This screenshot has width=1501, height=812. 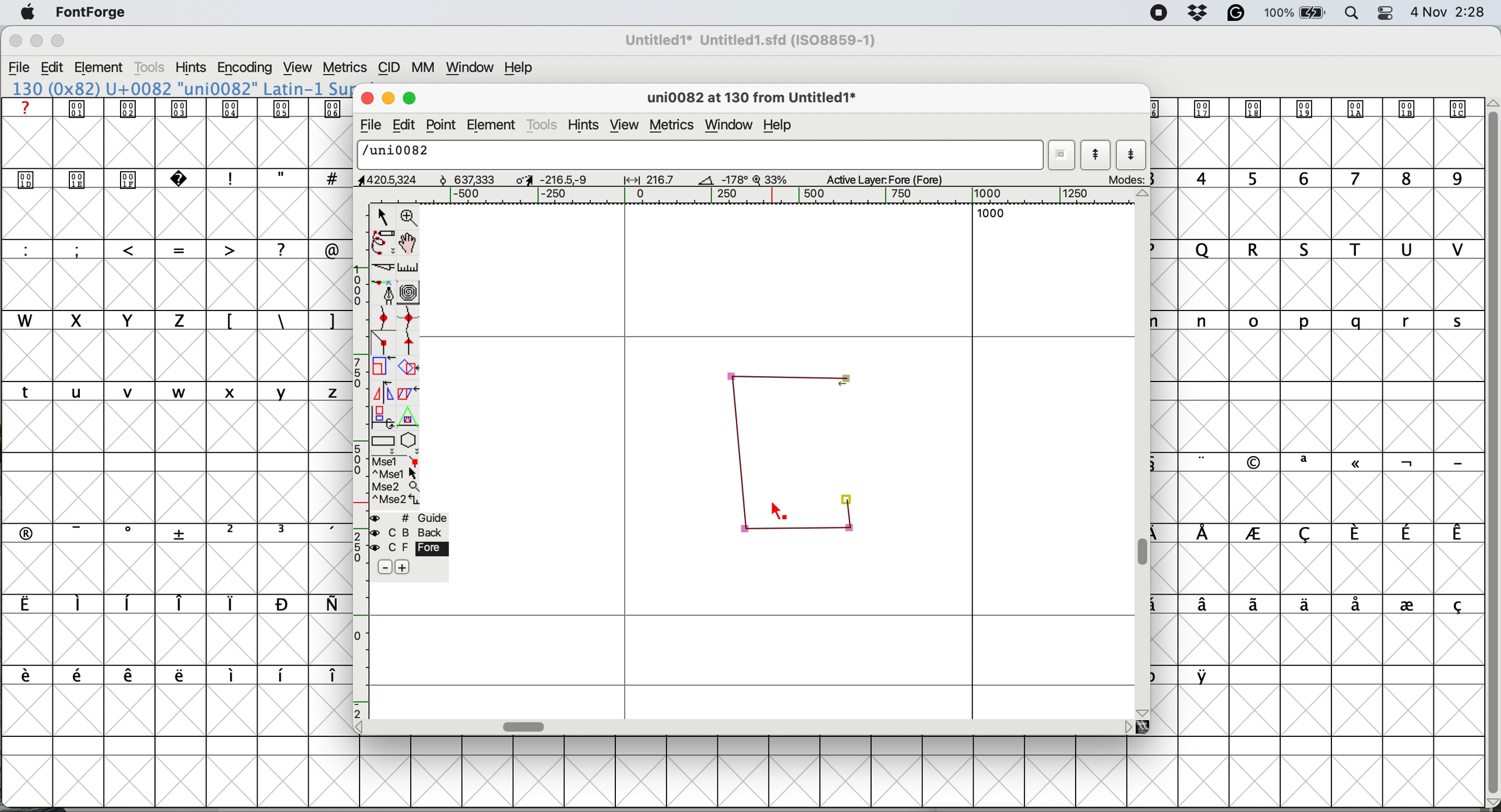 I want to click on add a curve point horizontal or vertical, so click(x=409, y=318).